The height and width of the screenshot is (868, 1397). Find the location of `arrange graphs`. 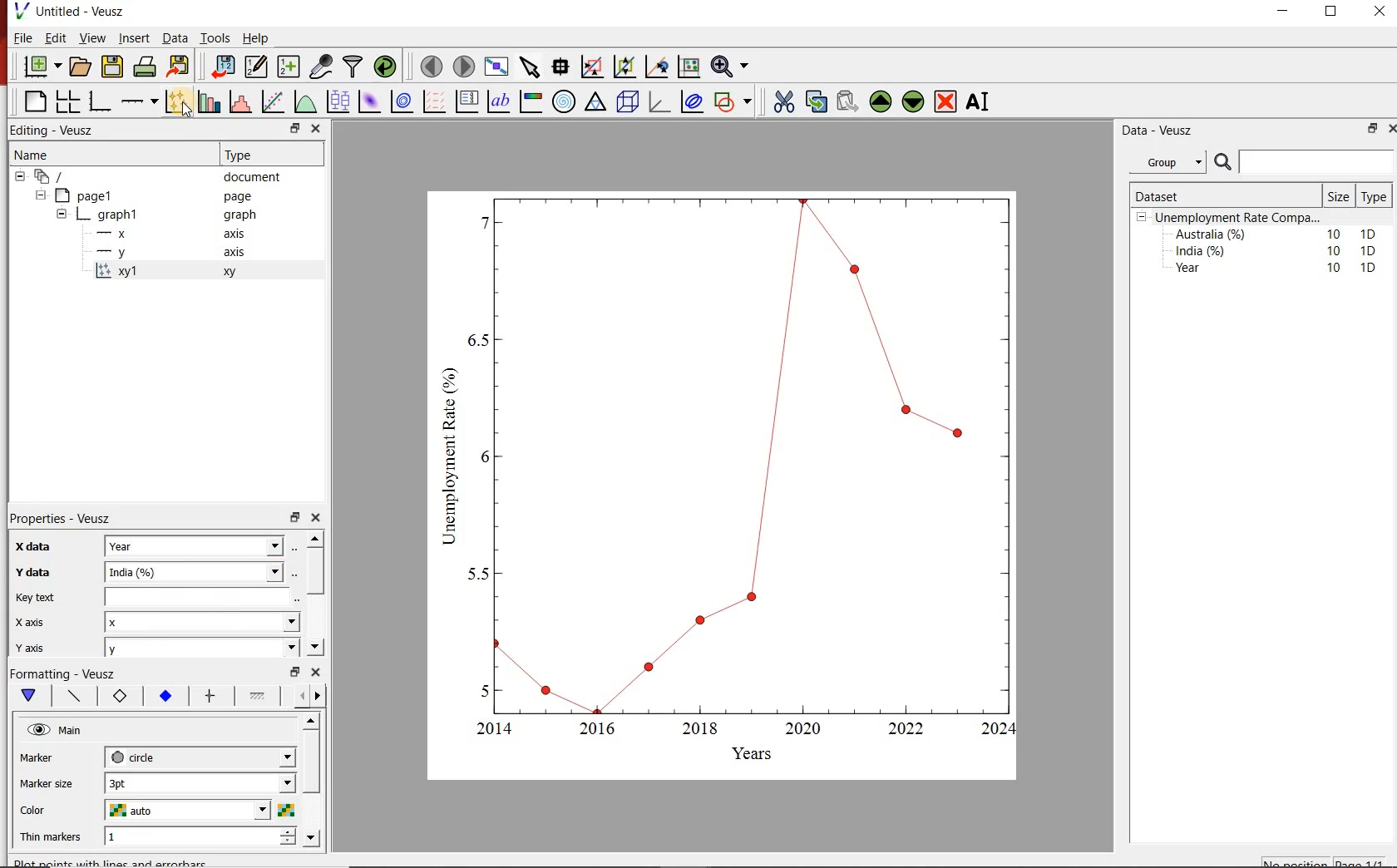

arrange graphs is located at coordinates (67, 101).